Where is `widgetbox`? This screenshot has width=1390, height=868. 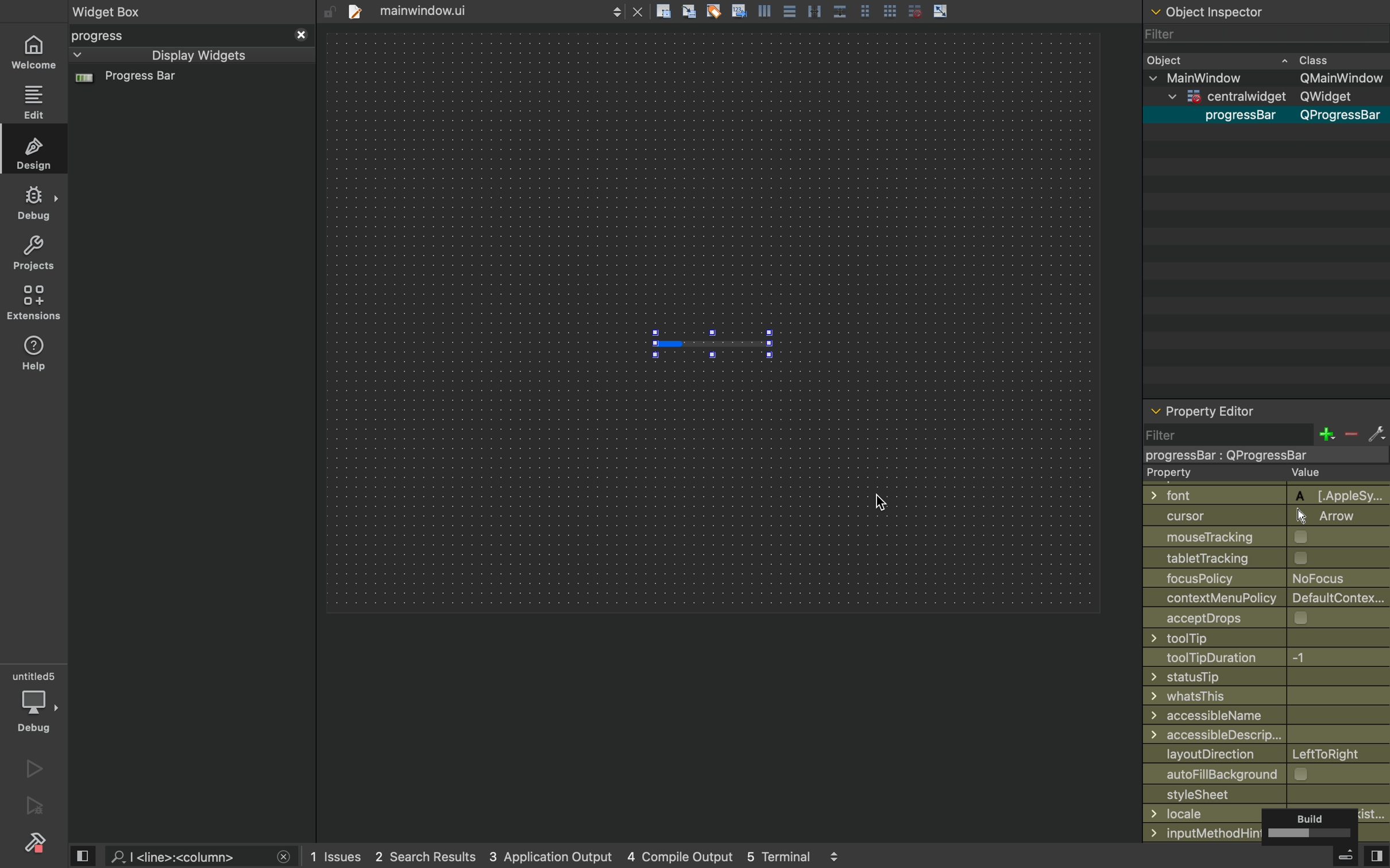 widgetbox is located at coordinates (154, 11).